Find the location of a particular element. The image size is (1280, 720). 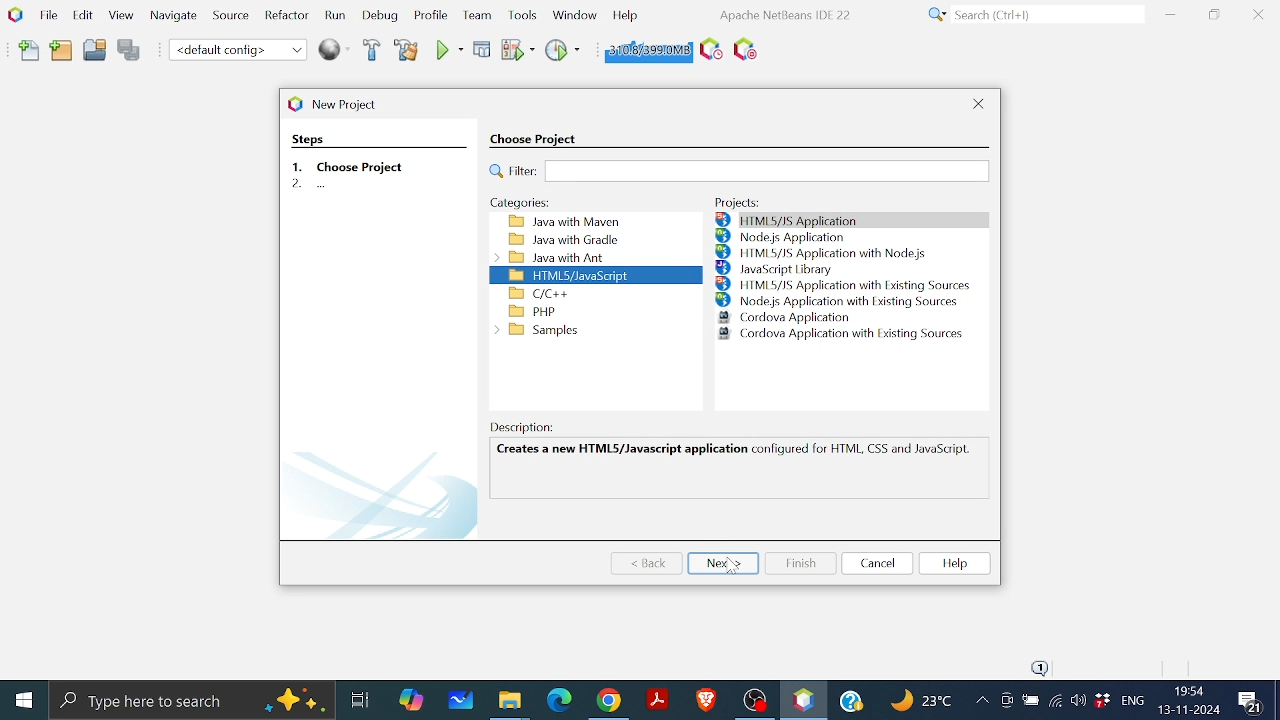

Categories: is located at coordinates (519, 202).